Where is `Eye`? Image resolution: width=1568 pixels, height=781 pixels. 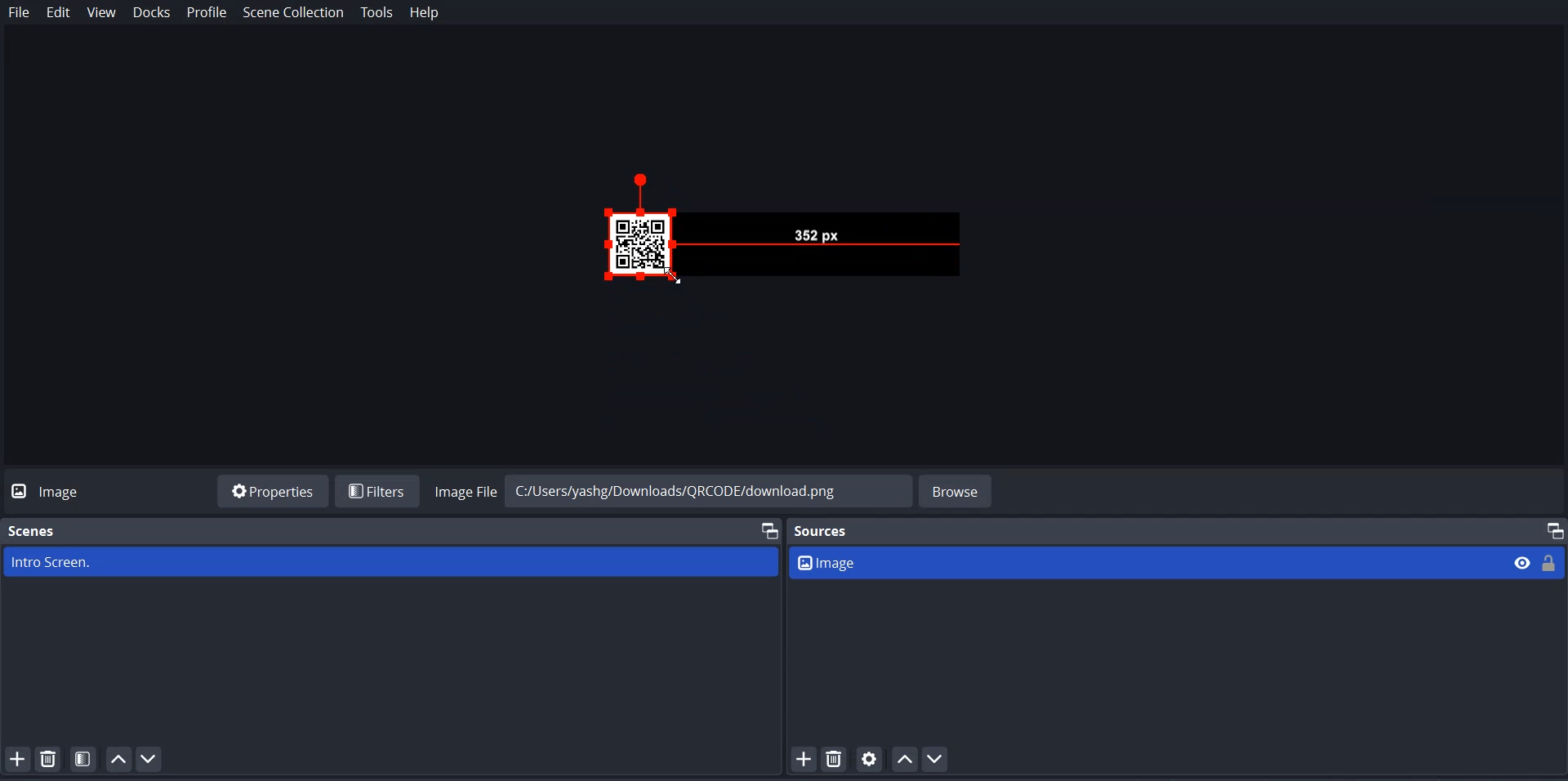
Eye is located at coordinates (1523, 562).